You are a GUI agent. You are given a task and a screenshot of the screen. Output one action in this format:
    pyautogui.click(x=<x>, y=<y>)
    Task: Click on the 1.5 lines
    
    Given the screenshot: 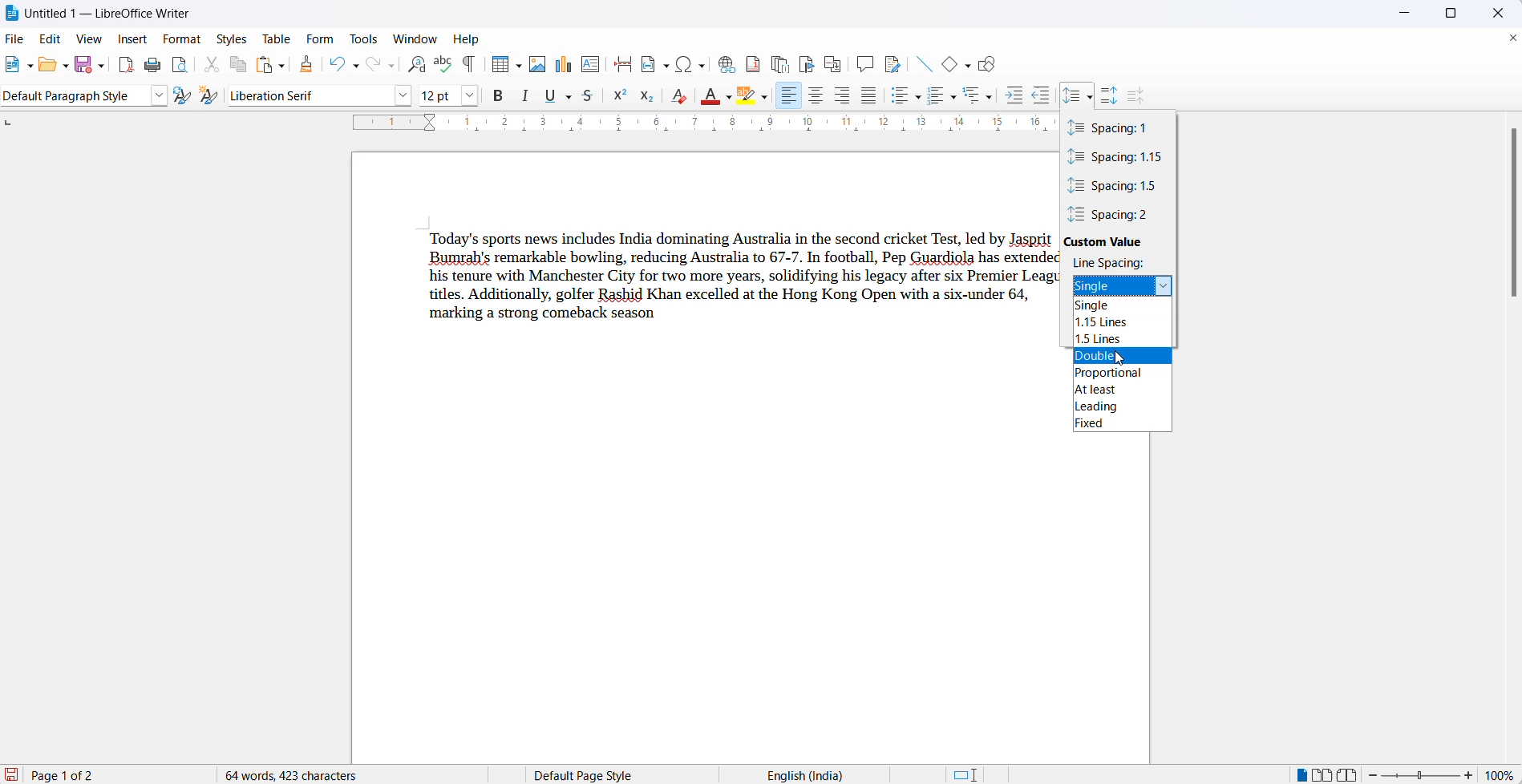 What is the action you would take?
    pyautogui.click(x=1119, y=339)
    